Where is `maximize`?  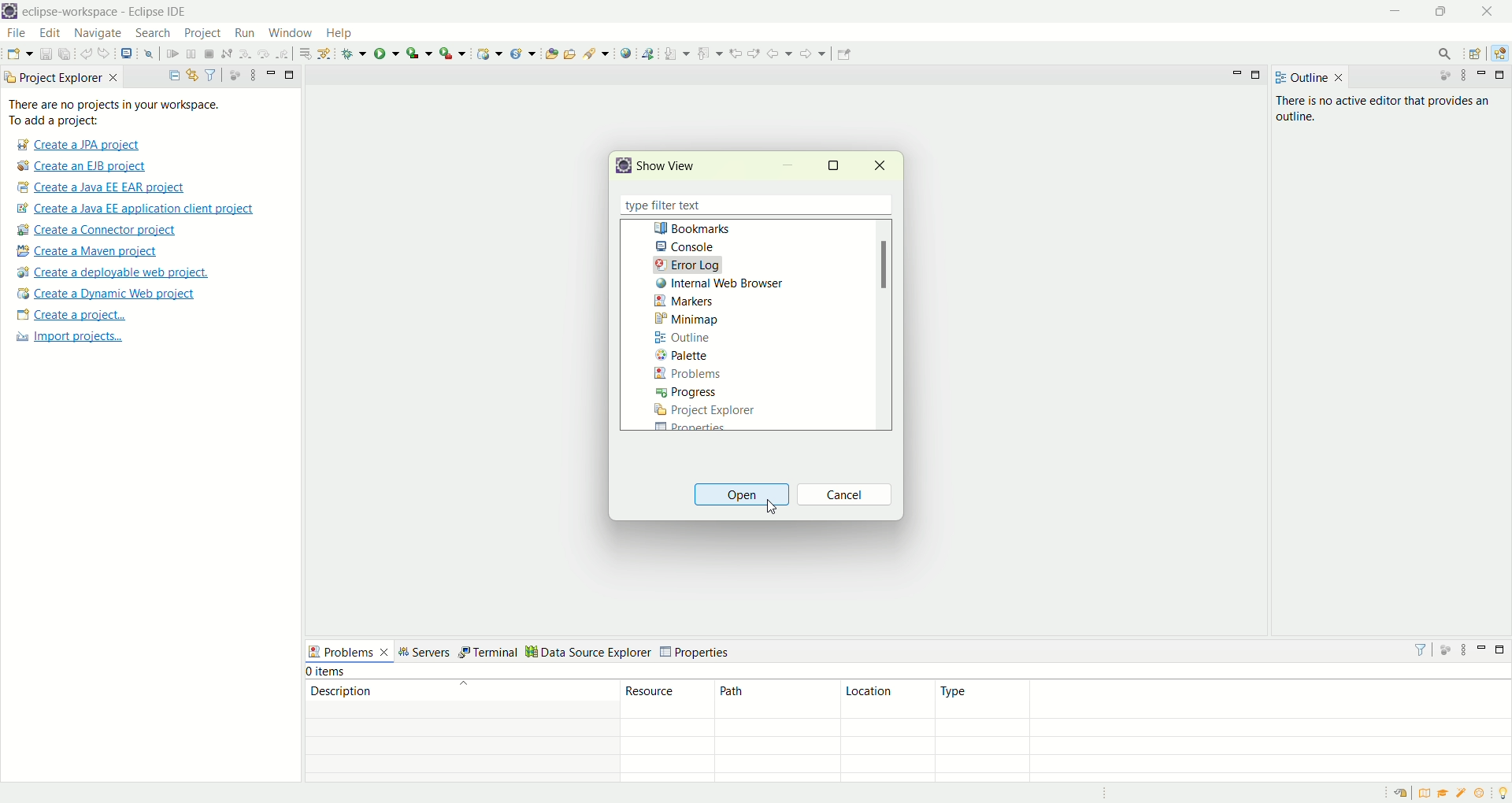
maximize is located at coordinates (1442, 12).